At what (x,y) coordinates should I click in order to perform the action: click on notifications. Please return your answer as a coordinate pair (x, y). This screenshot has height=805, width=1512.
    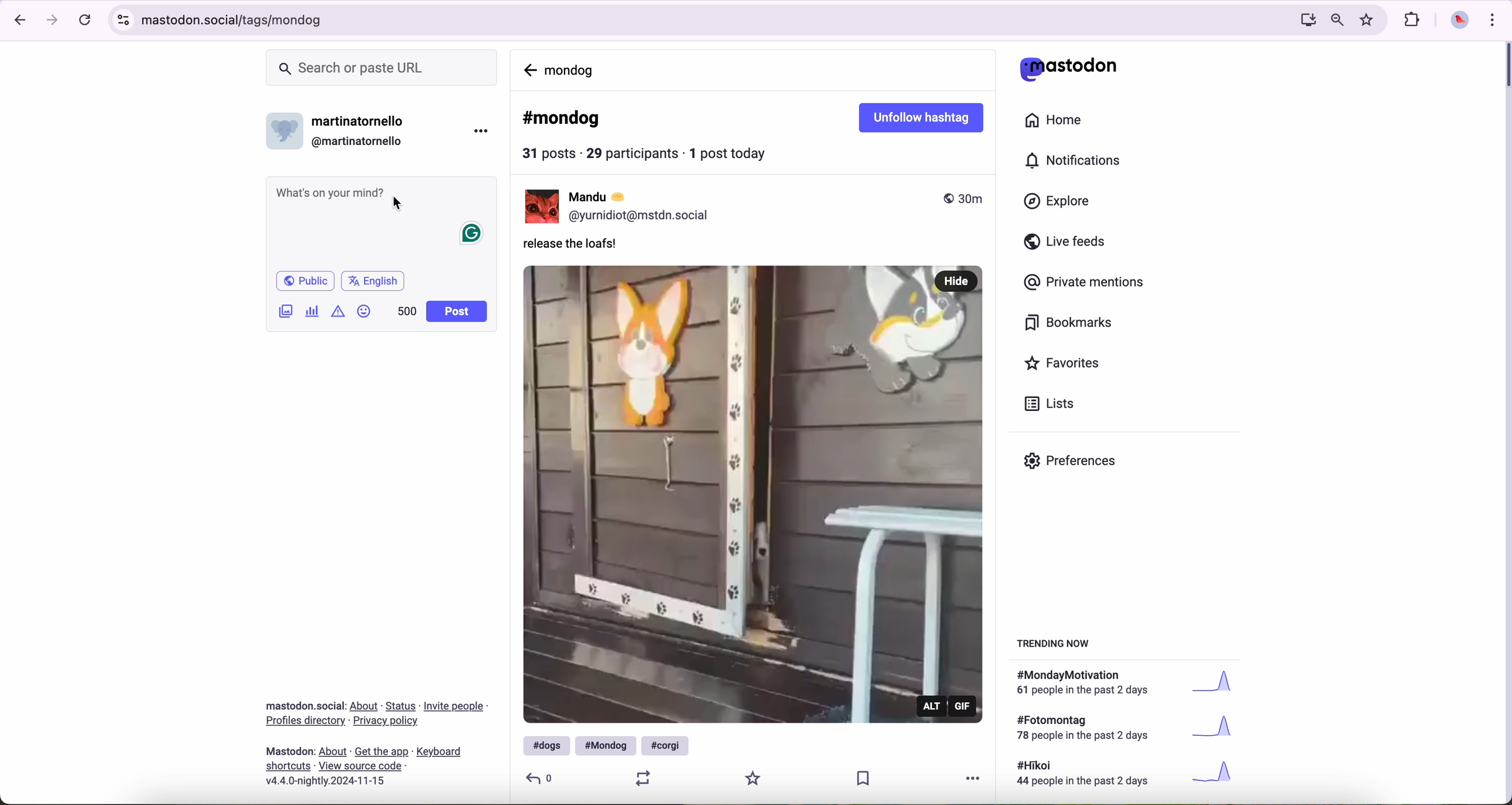
    Looking at the image, I should click on (1077, 161).